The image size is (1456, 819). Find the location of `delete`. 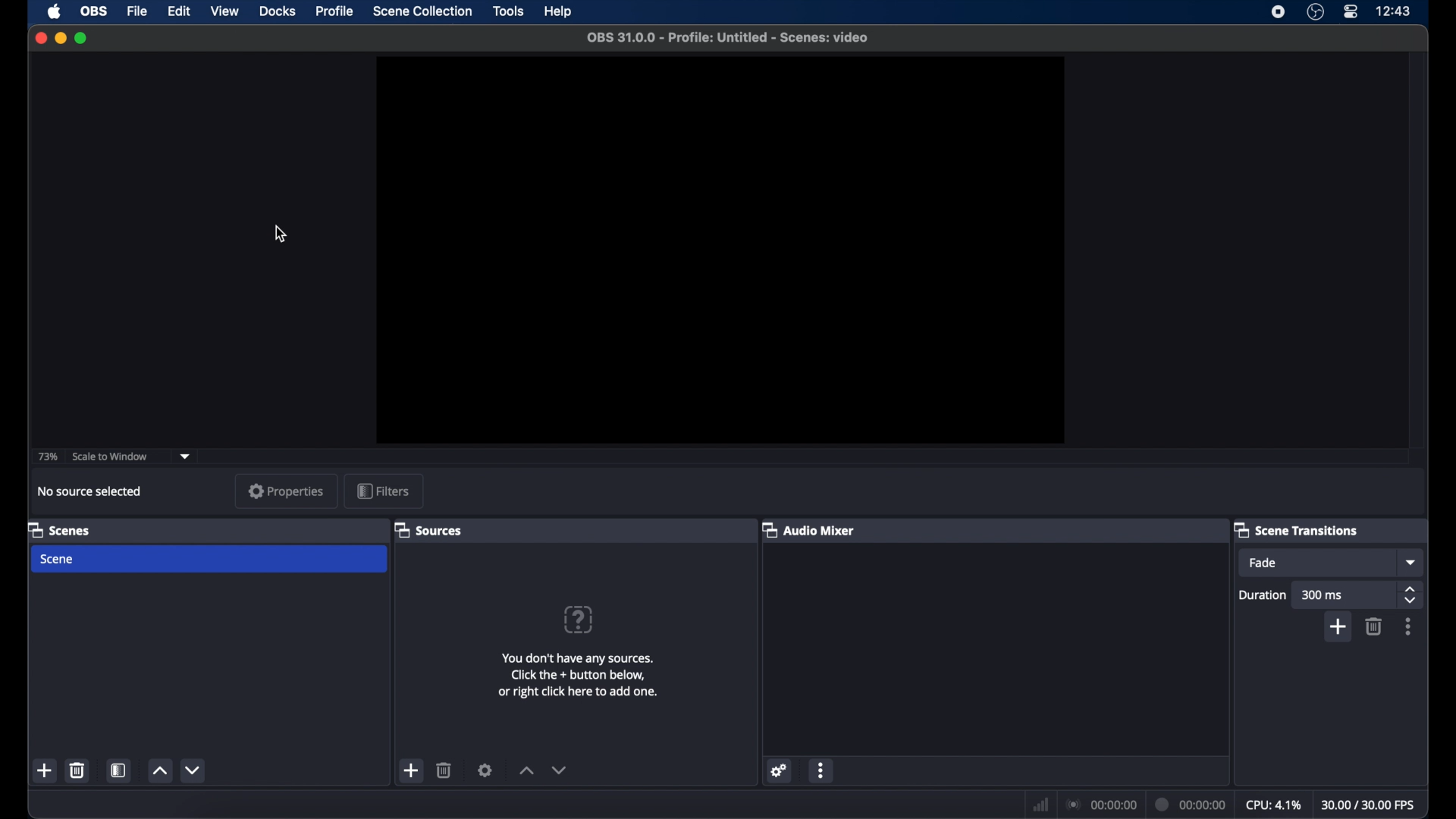

delete is located at coordinates (1375, 626).